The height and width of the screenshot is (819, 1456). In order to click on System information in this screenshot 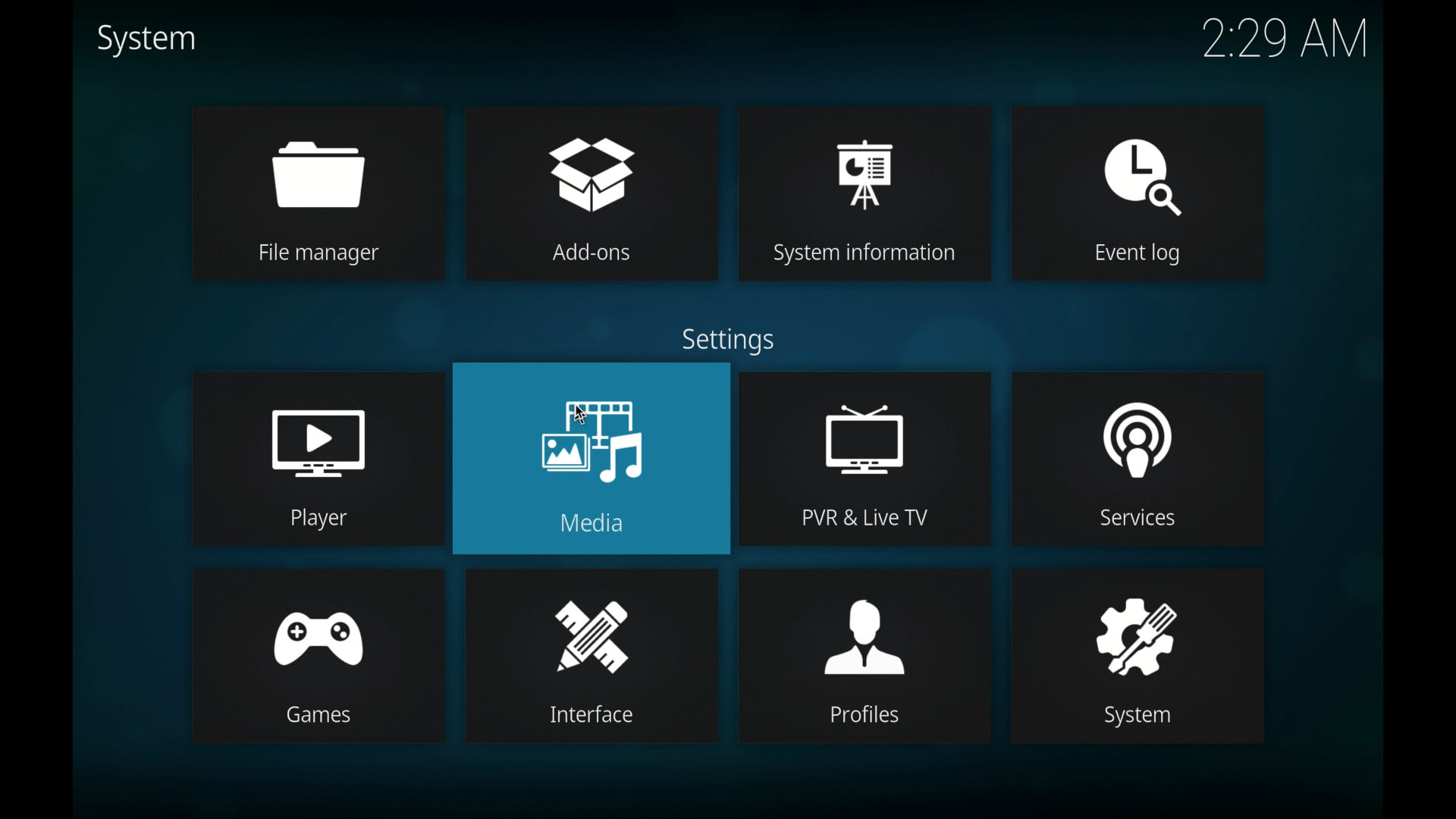, I will do `click(868, 255)`.